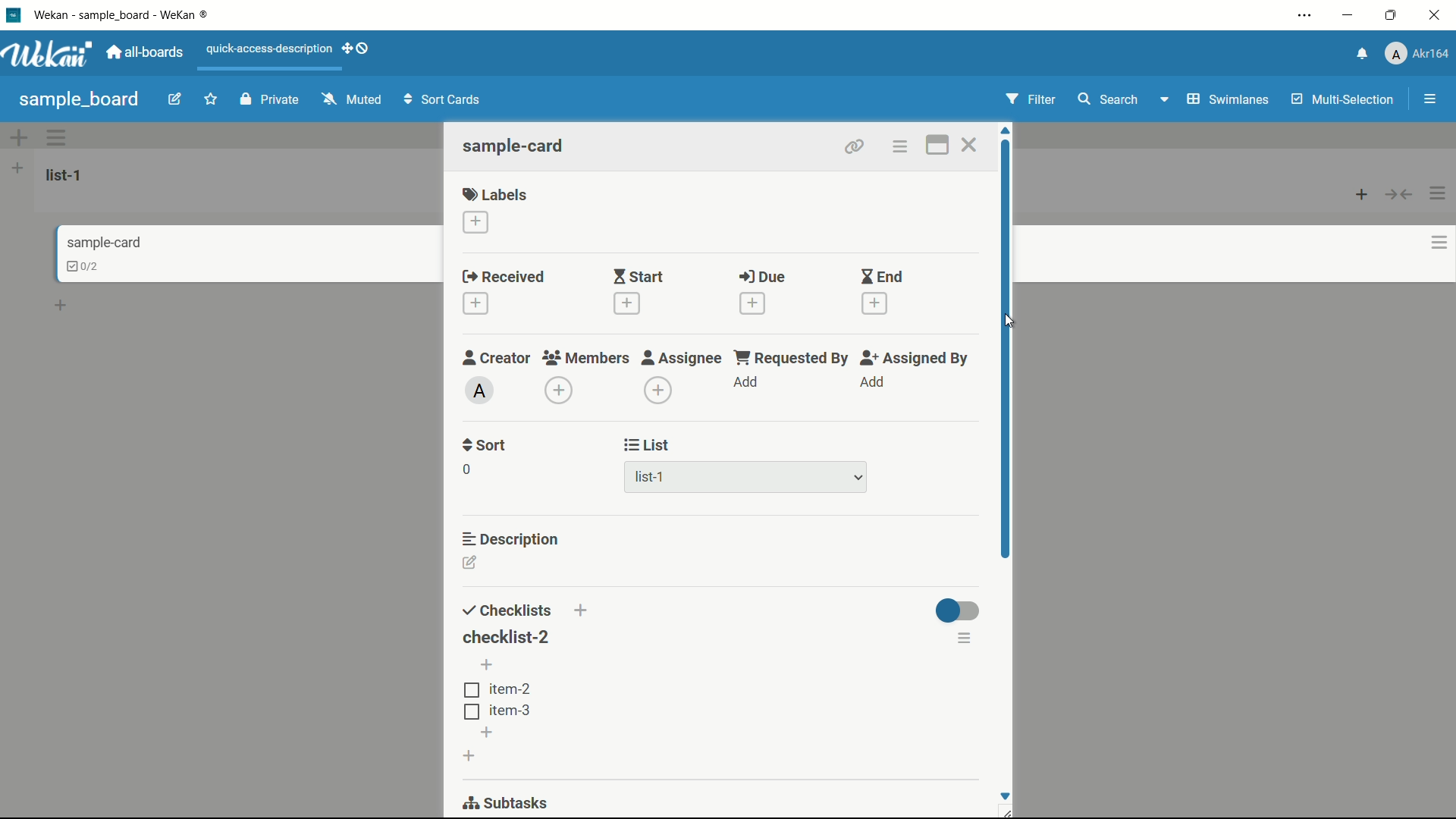 The width and height of the screenshot is (1456, 819). What do you see at coordinates (467, 469) in the screenshot?
I see `0` at bounding box center [467, 469].